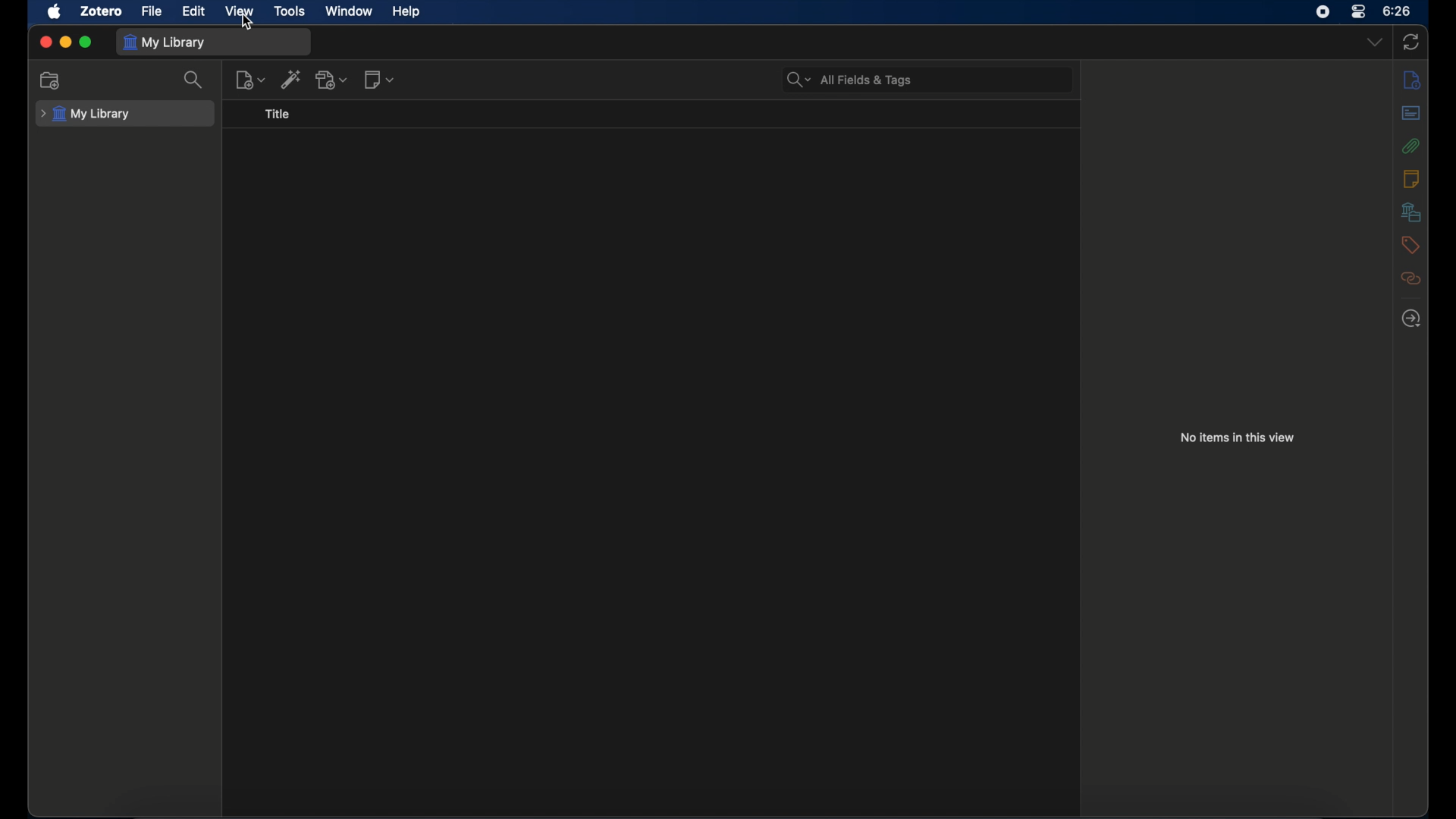  I want to click on info, so click(1411, 79).